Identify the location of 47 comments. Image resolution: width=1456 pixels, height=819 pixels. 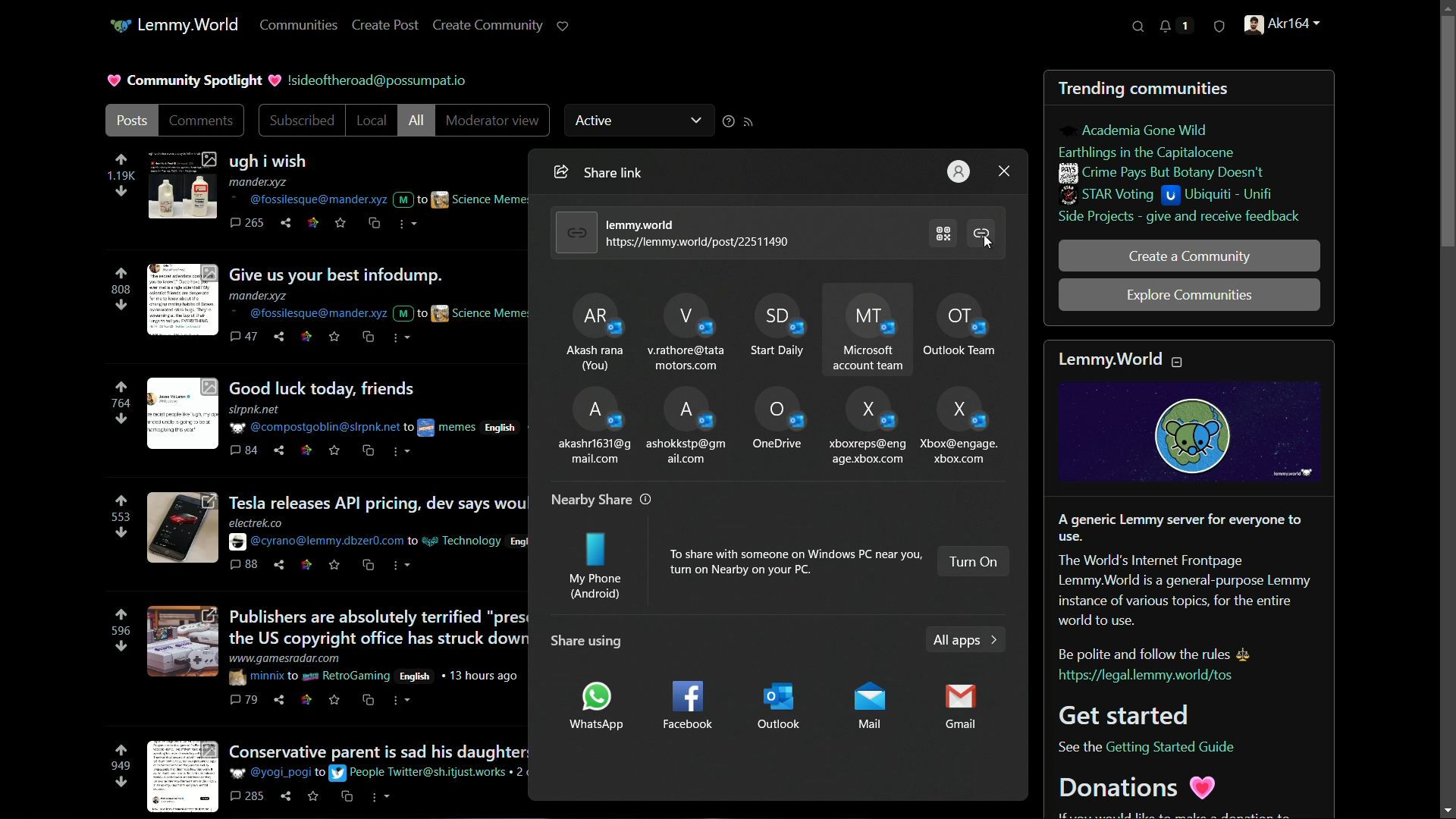
(243, 337).